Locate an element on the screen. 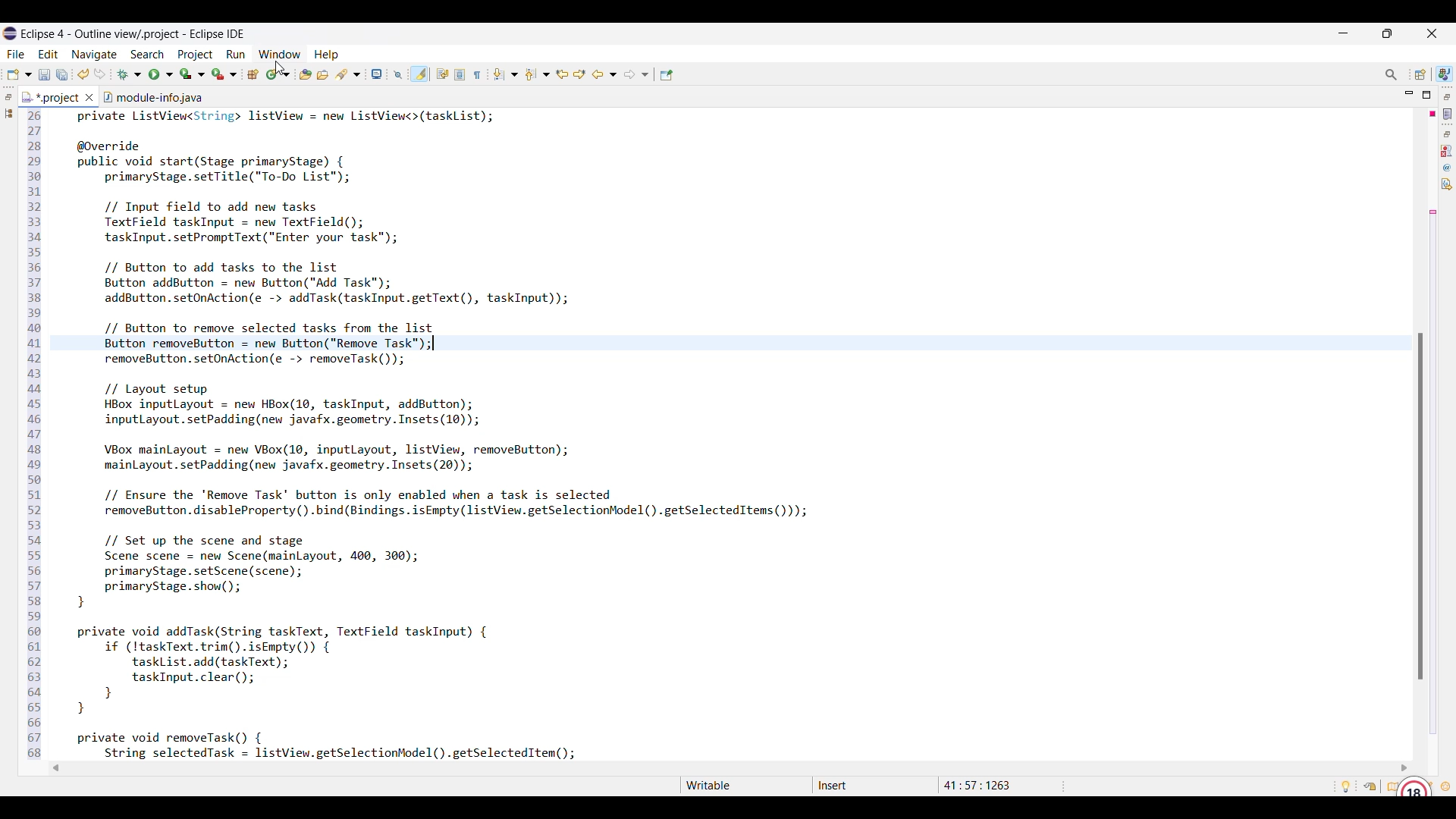 The image size is (1456, 819). Previous annotation is located at coordinates (538, 74).